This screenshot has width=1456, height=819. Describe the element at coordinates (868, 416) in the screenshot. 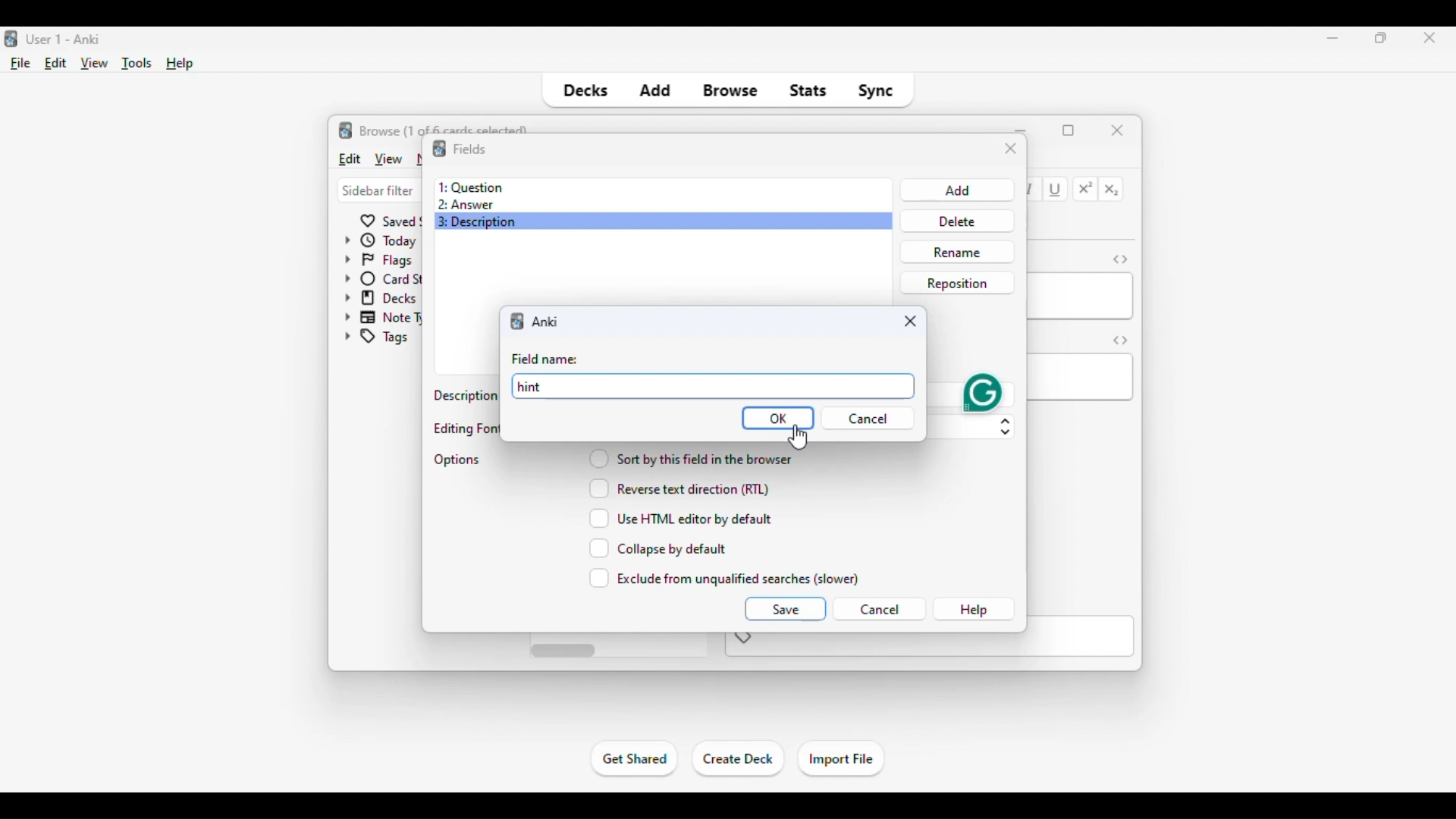

I see `` at that location.